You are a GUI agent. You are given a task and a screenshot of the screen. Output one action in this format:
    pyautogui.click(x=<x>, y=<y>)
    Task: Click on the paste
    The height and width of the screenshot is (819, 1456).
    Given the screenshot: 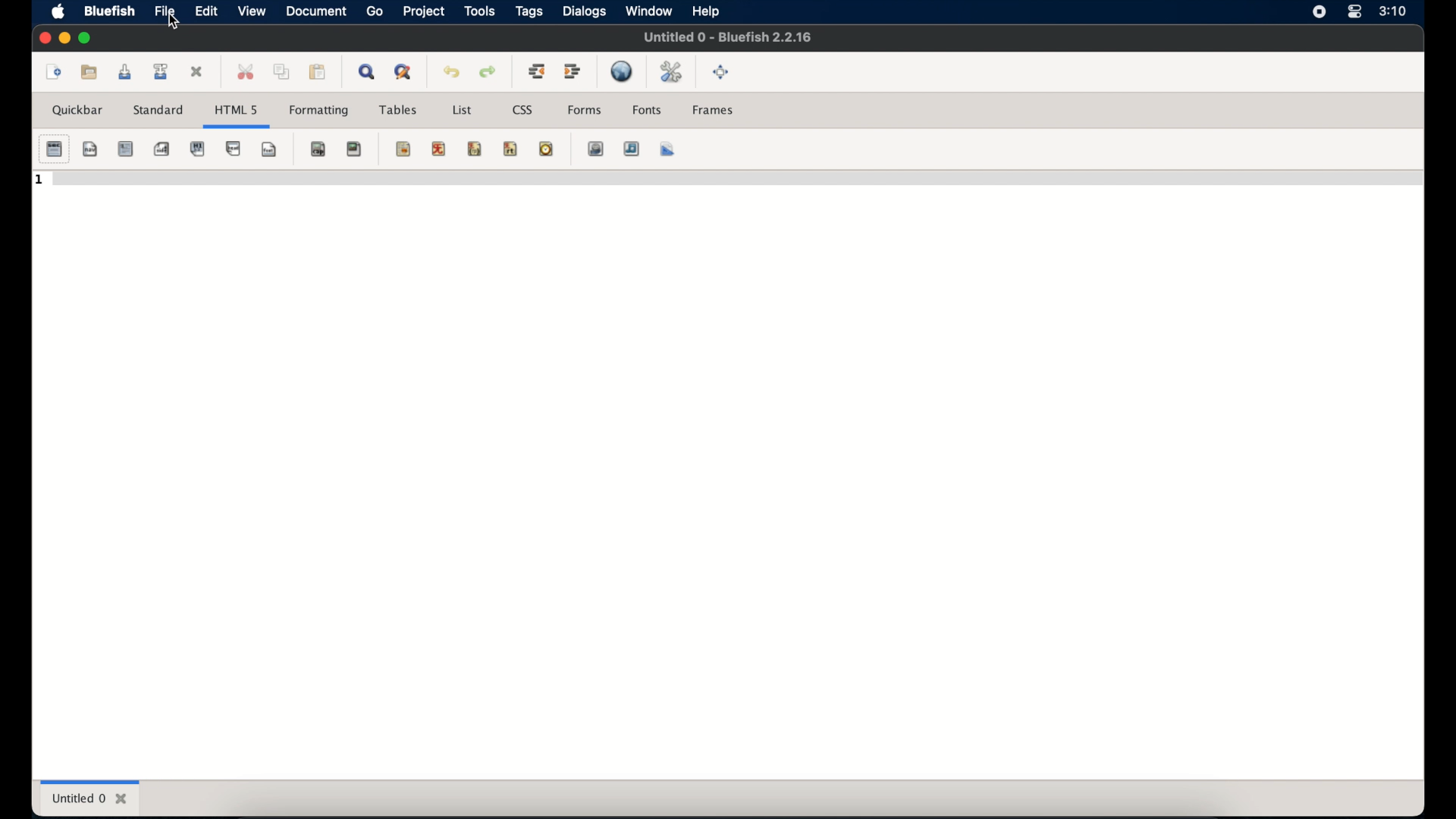 What is the action you would take?
    pyautogui.click(x=318, y=72)
    